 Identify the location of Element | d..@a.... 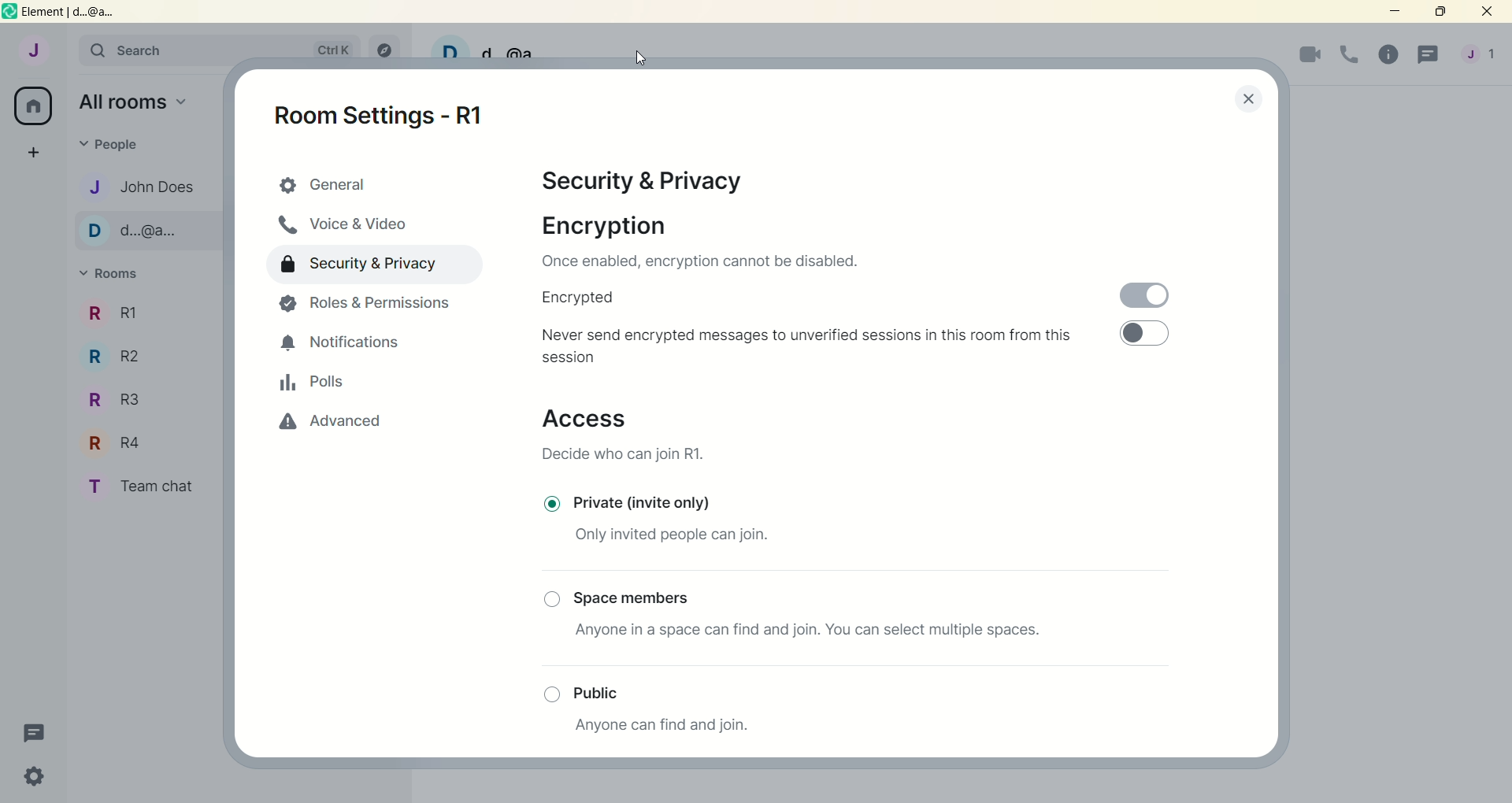
(69, 12).